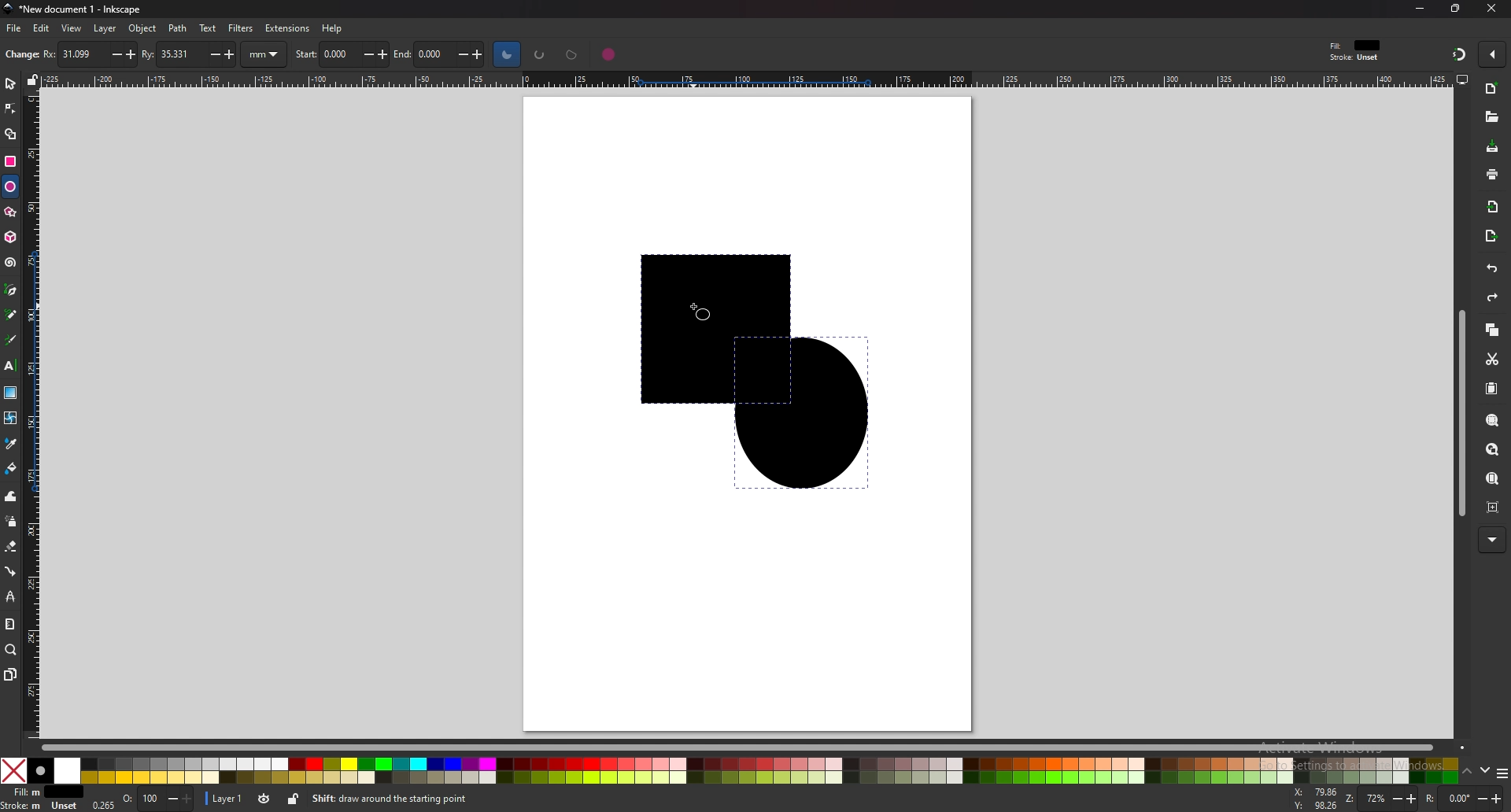  Describe the element at coordinates (286, 28) in the screenshot. I see `extensions` at that location.